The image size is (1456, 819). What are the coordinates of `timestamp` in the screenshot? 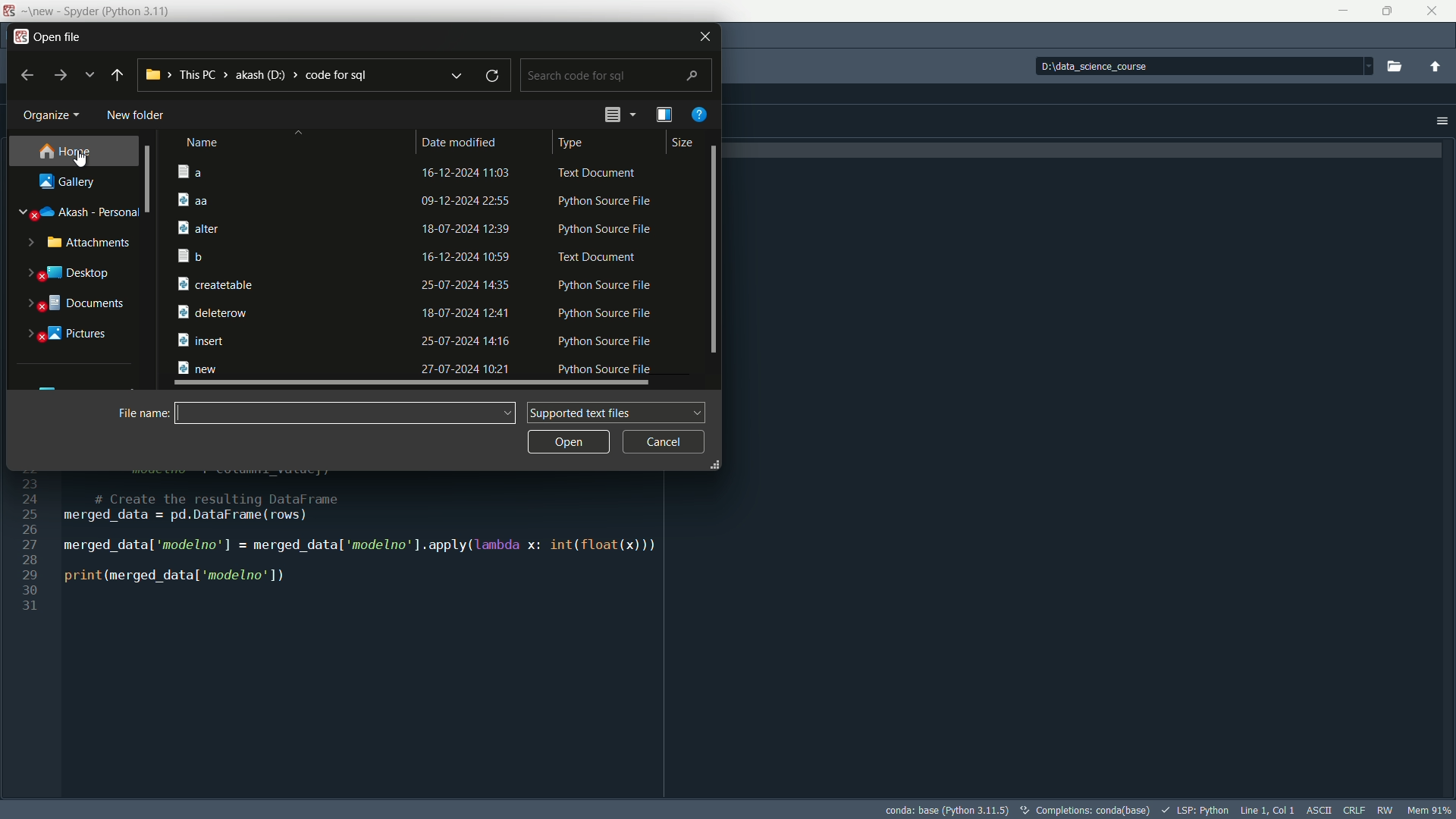 It's located at (463, 341).